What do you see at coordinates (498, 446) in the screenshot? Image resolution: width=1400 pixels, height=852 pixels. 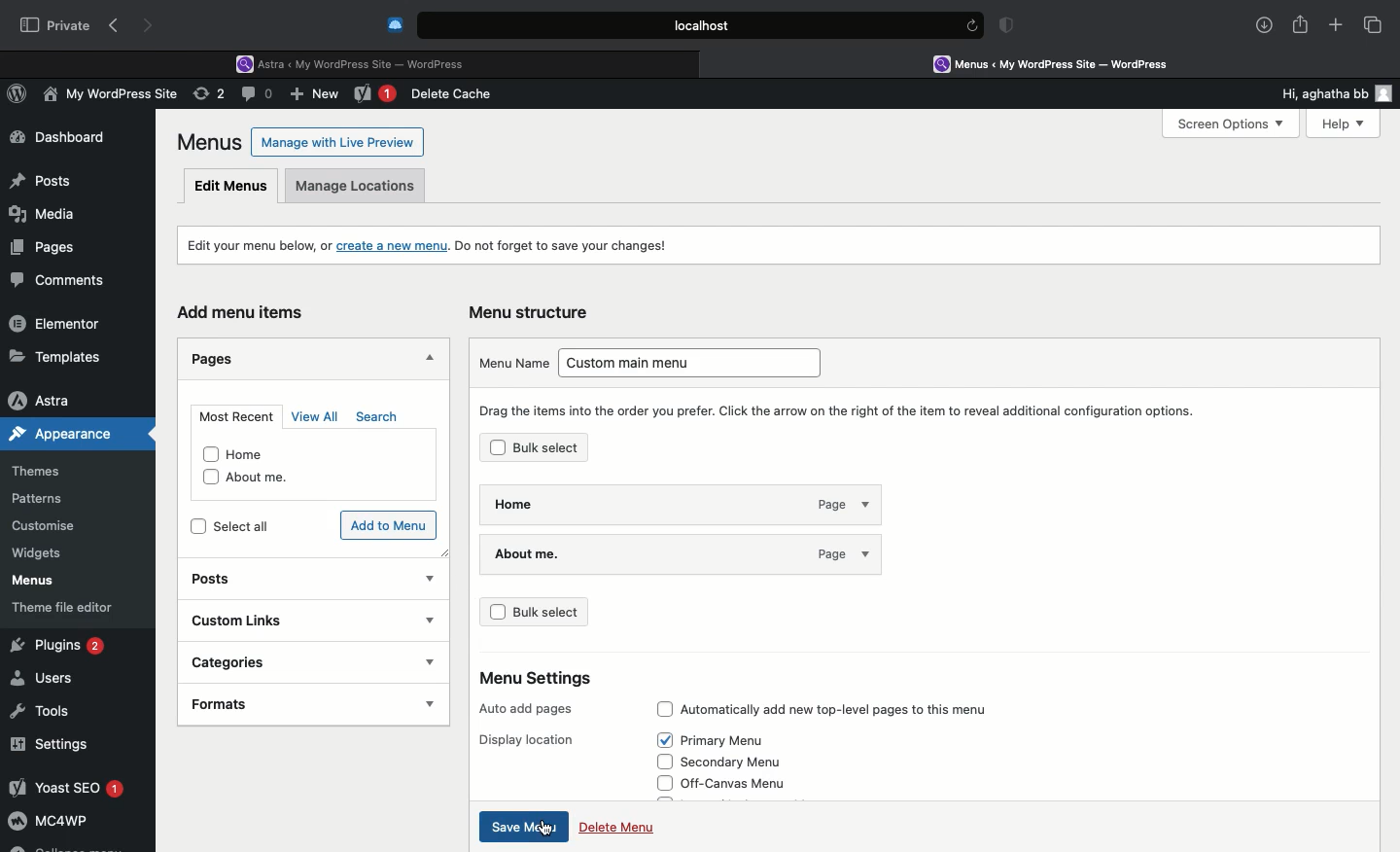 I see `Check box` at bounding box center [498, 446].